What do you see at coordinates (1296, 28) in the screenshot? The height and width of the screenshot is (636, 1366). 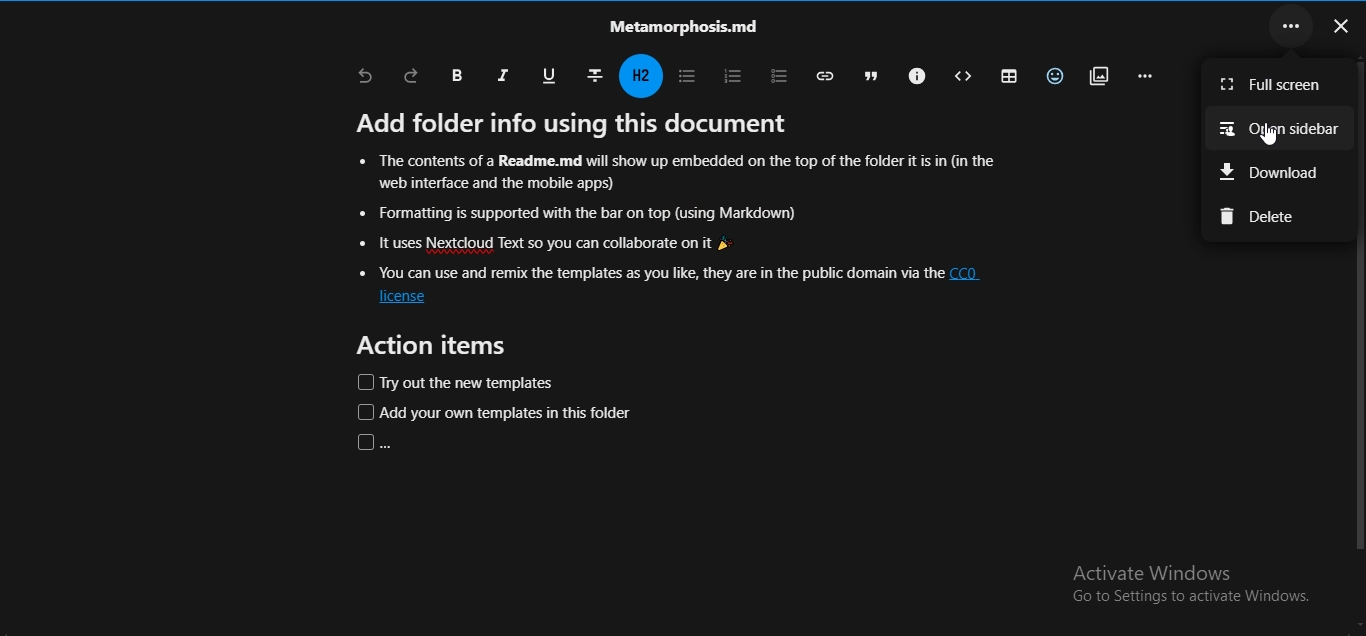 I see `...` at bounding box center [1296, 28].